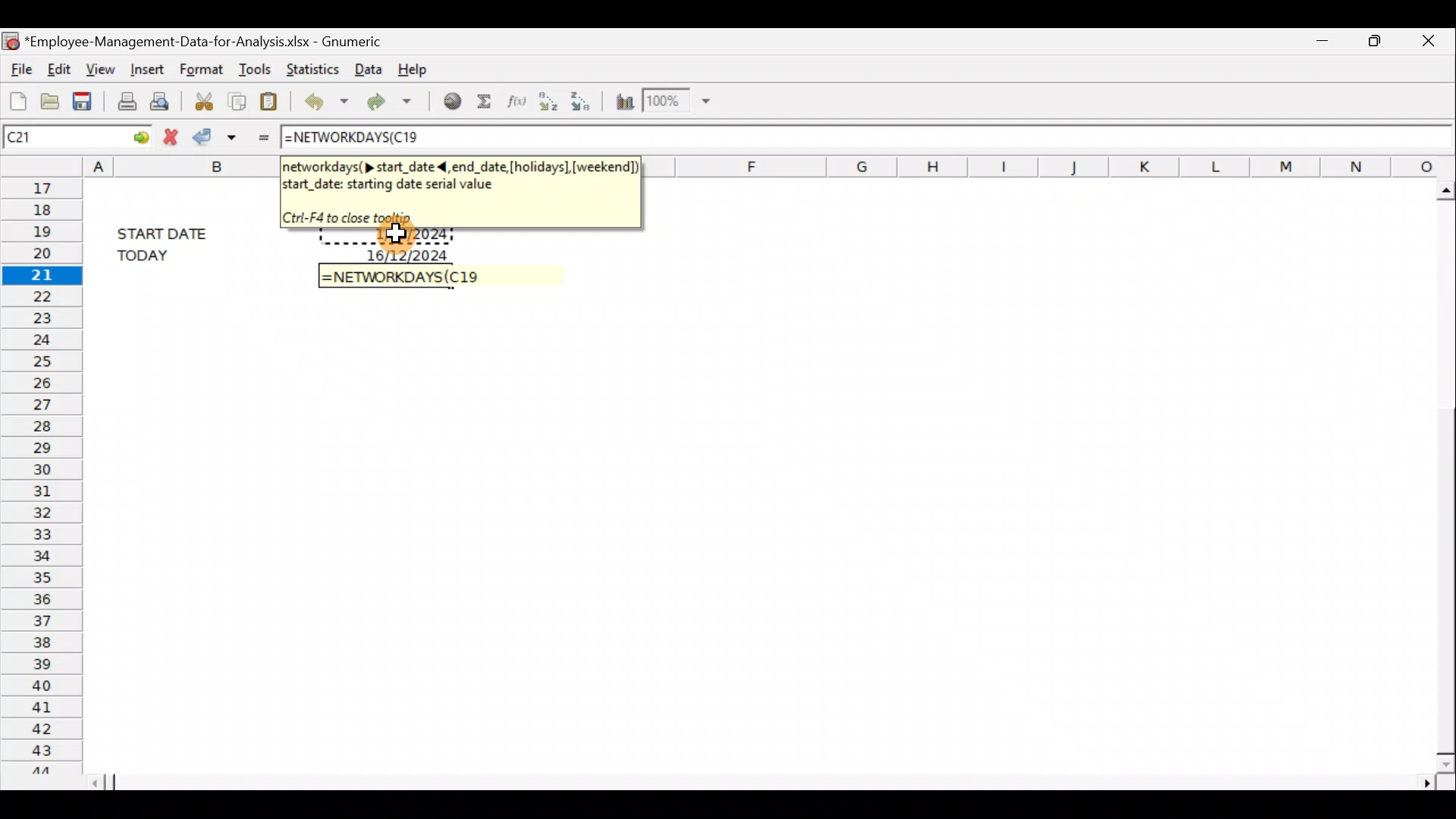  Describe the element at coordinates (165, 100) in the screenshot. I see `Print preview` at that location.